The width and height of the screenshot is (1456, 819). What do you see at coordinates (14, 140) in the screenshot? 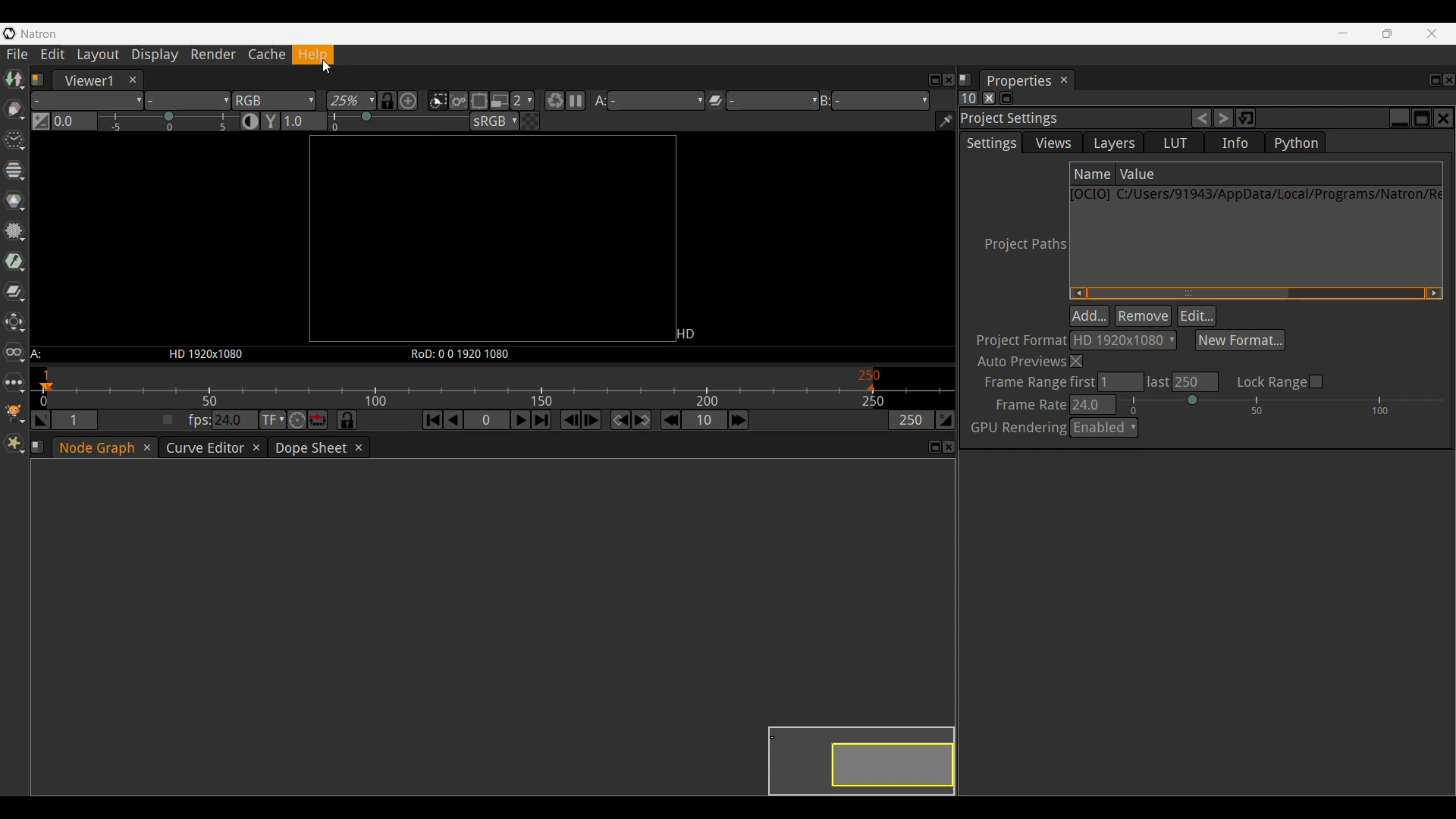
I see `Time options` at bounding box center [14, 140].